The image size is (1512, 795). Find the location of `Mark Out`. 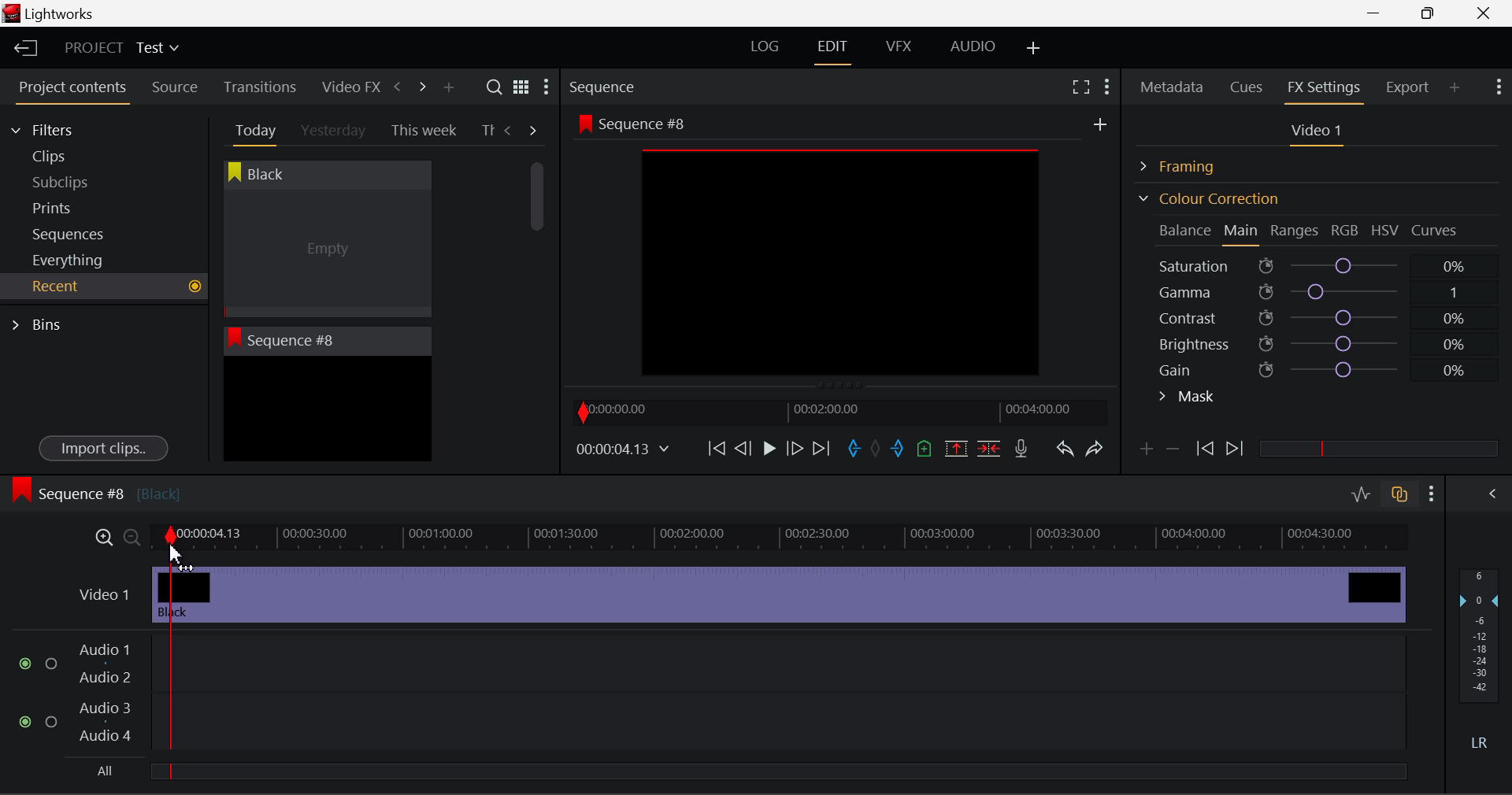

Mark Out is located at coordinates (899, 449).